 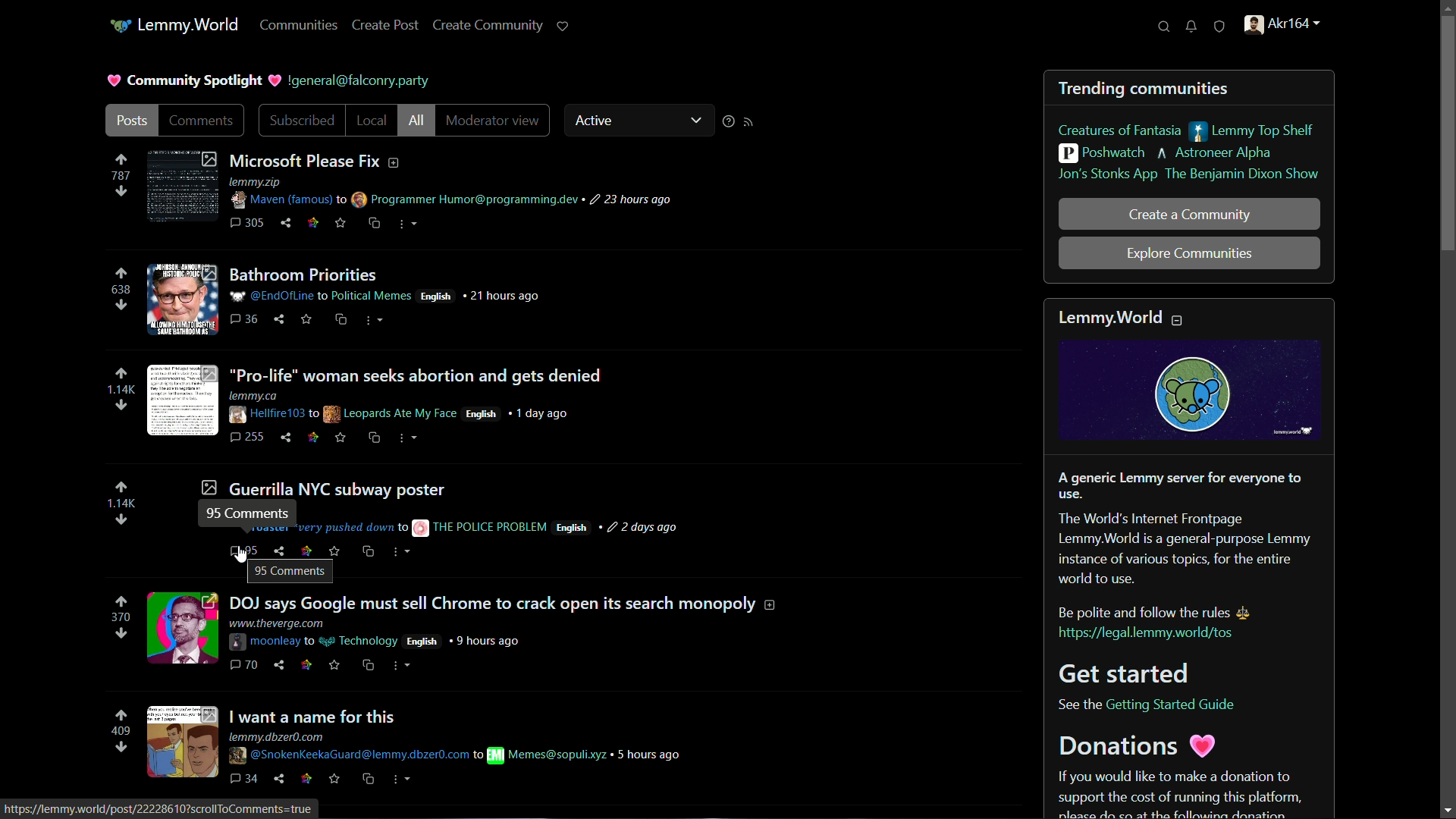 I want to click on text, so click(x=348, y=80).